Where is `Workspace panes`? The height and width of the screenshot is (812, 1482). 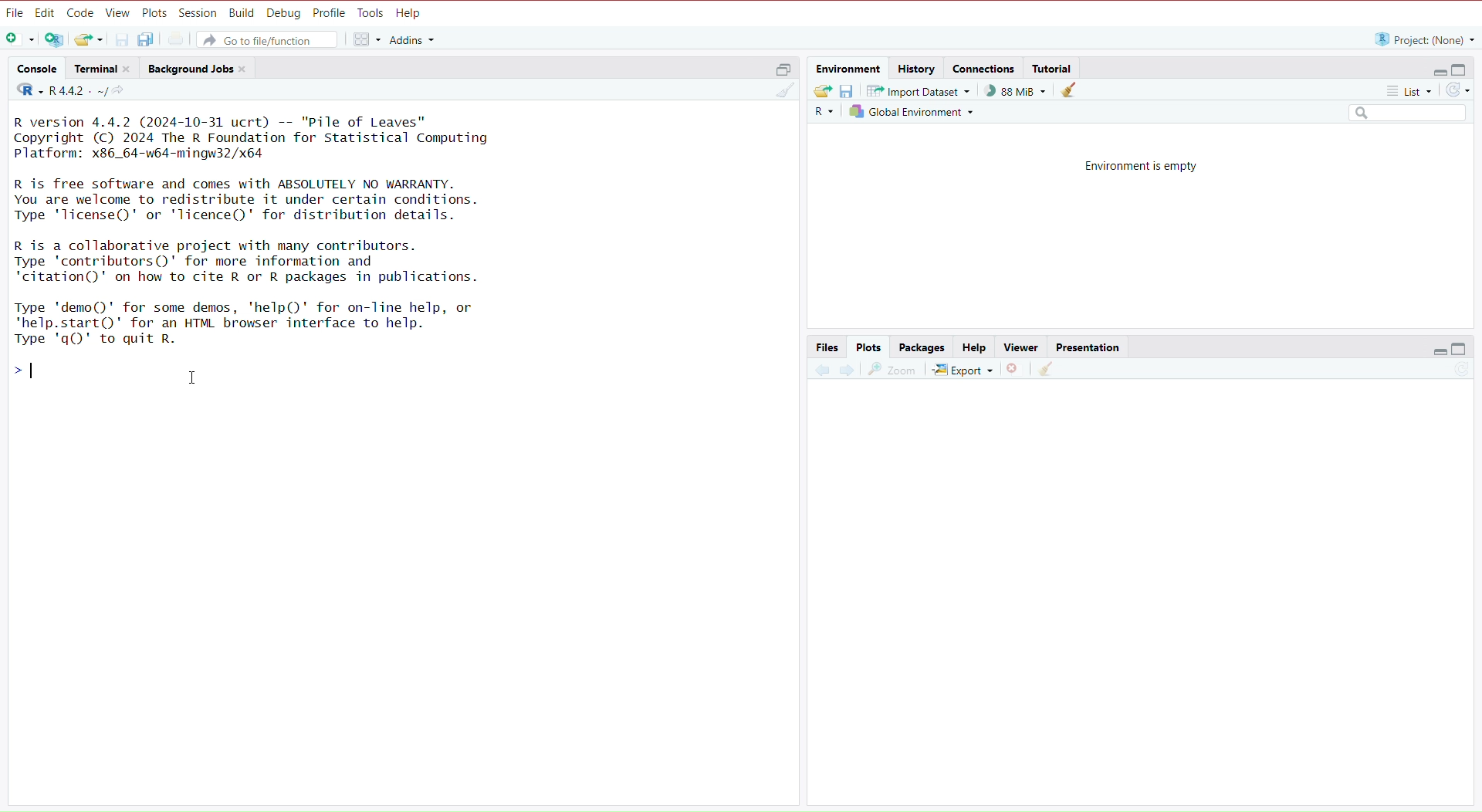
Workspace panes is located at coordinates (365, 41).